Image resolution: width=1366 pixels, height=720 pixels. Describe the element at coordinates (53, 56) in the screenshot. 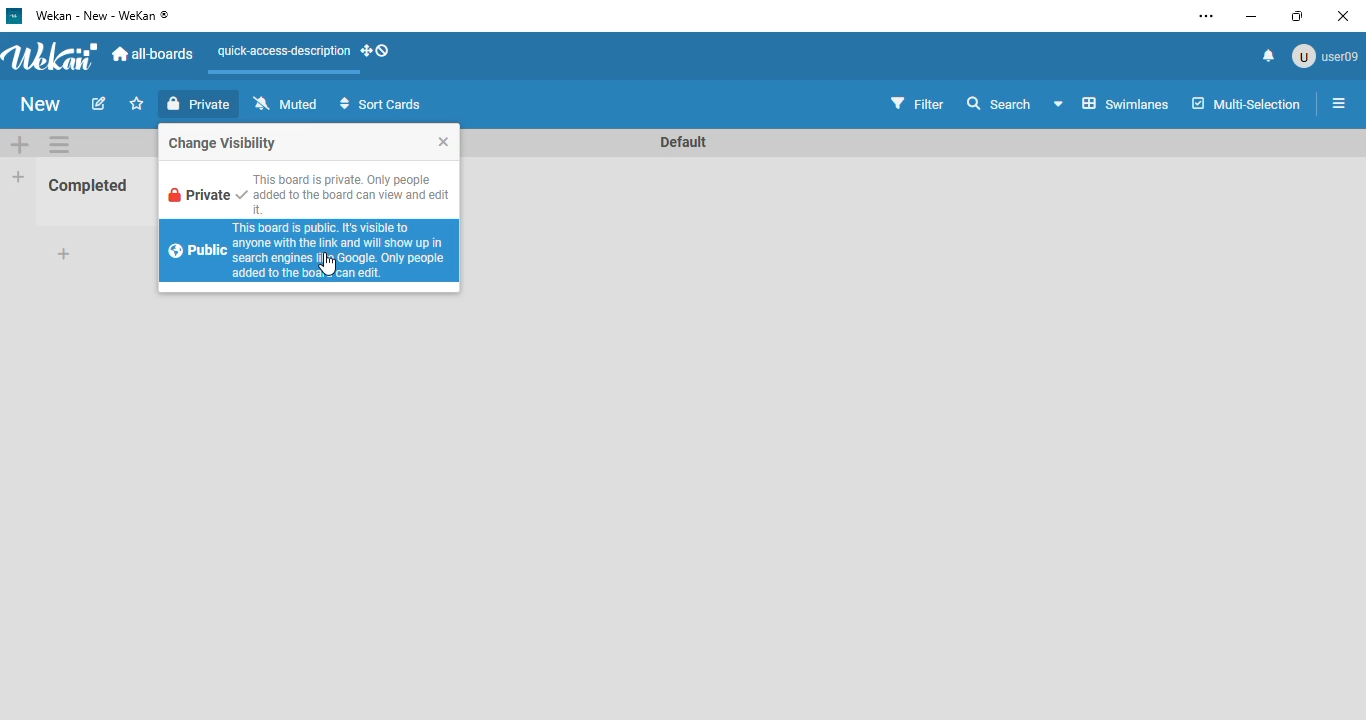

I see `wekan` at that location.